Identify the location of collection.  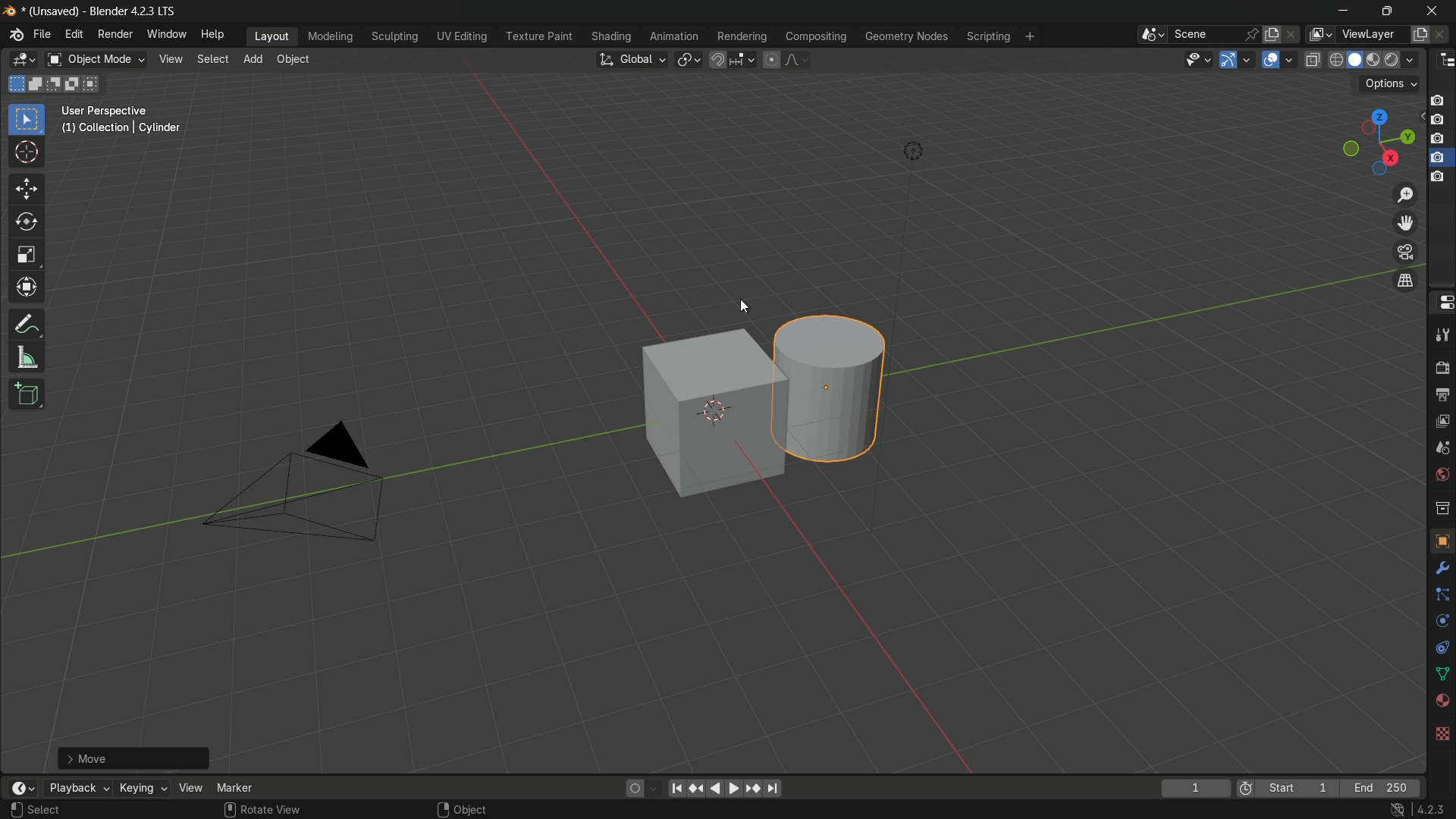
(1439, 508).